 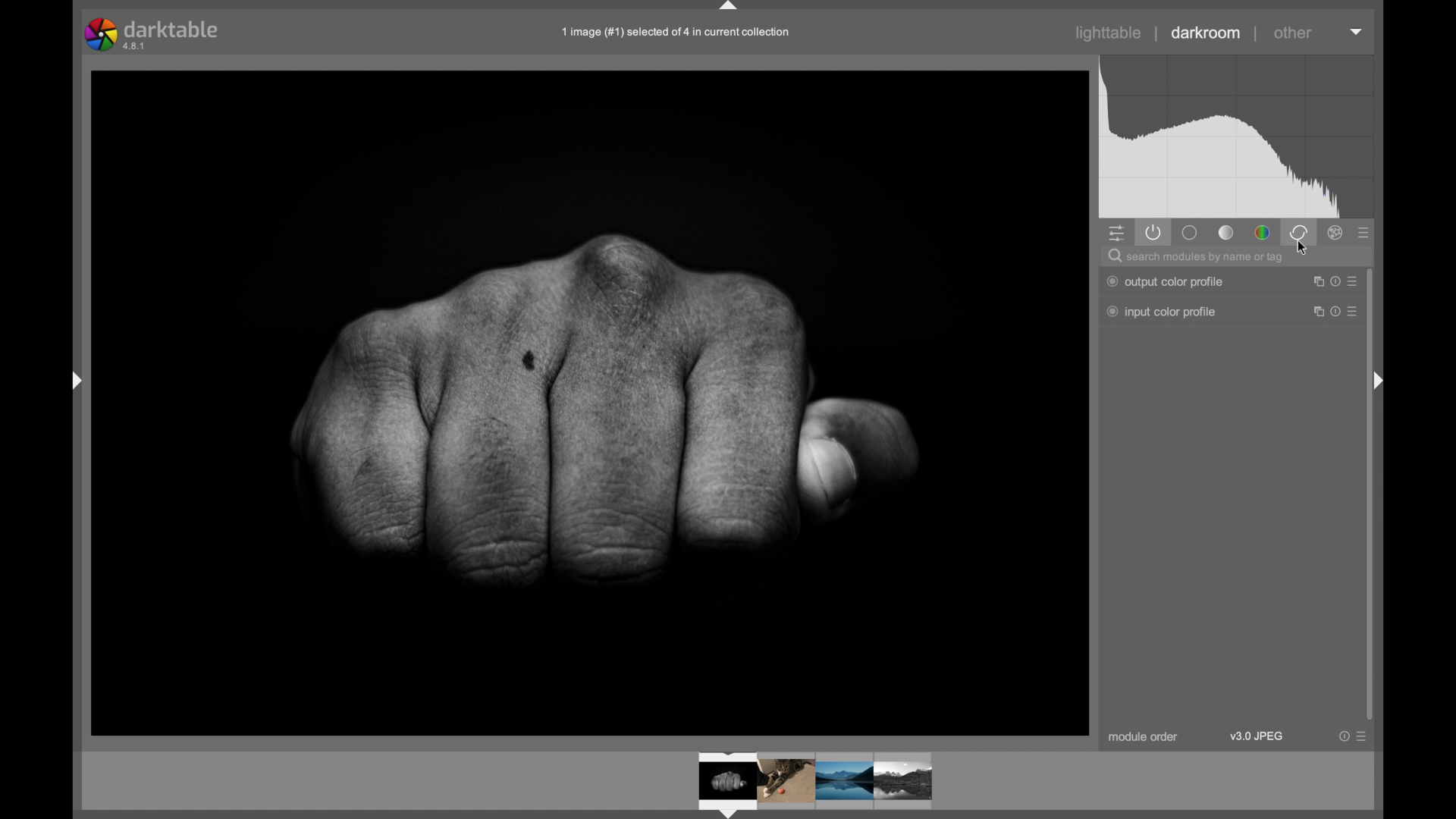 What do you see at coordinates (1316, 313) in the screenshot?
I see `maximize` at bounding box center [1316, 313].